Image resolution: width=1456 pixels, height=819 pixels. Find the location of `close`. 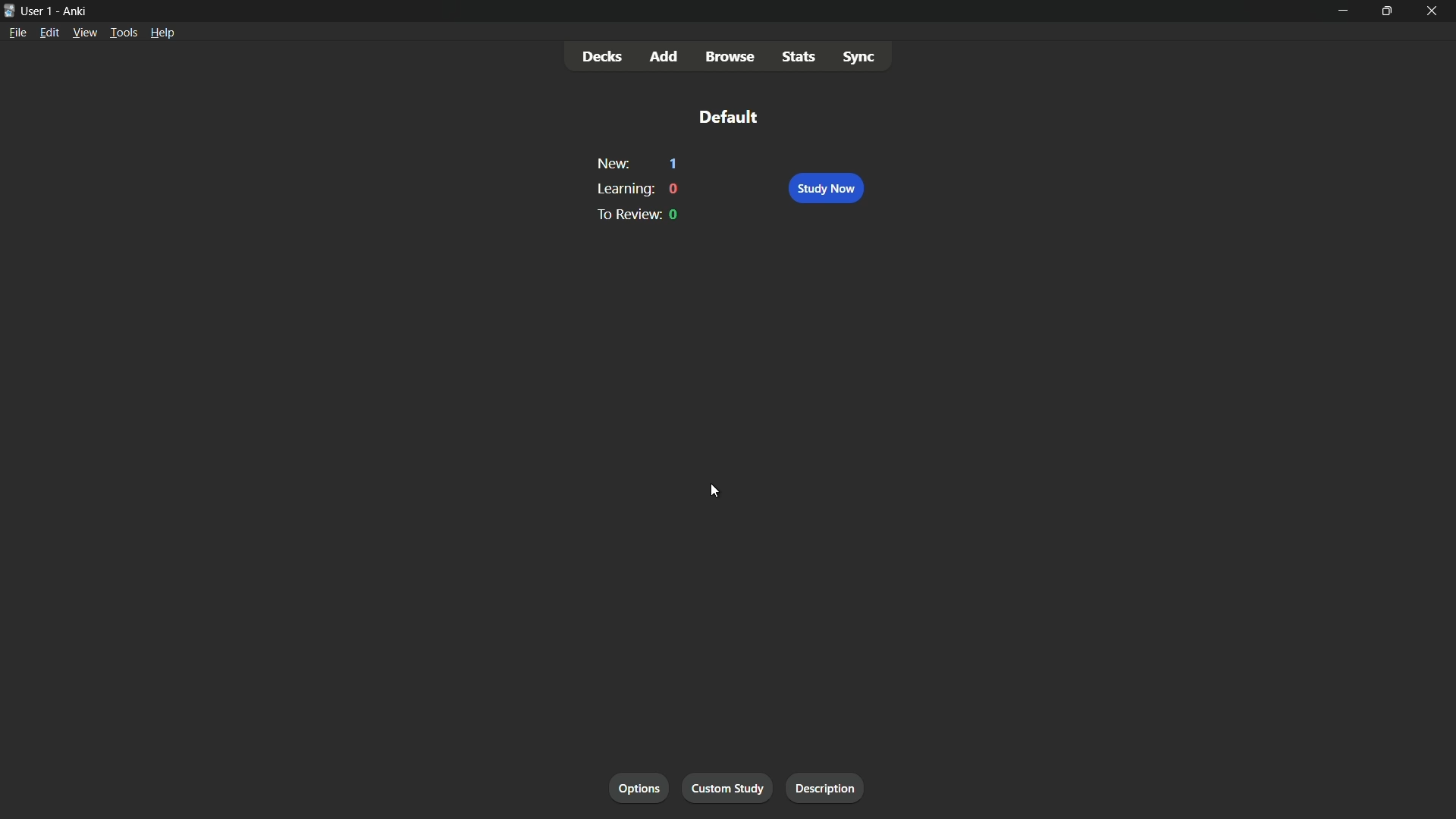

close is located at coordinates (1430, 11).